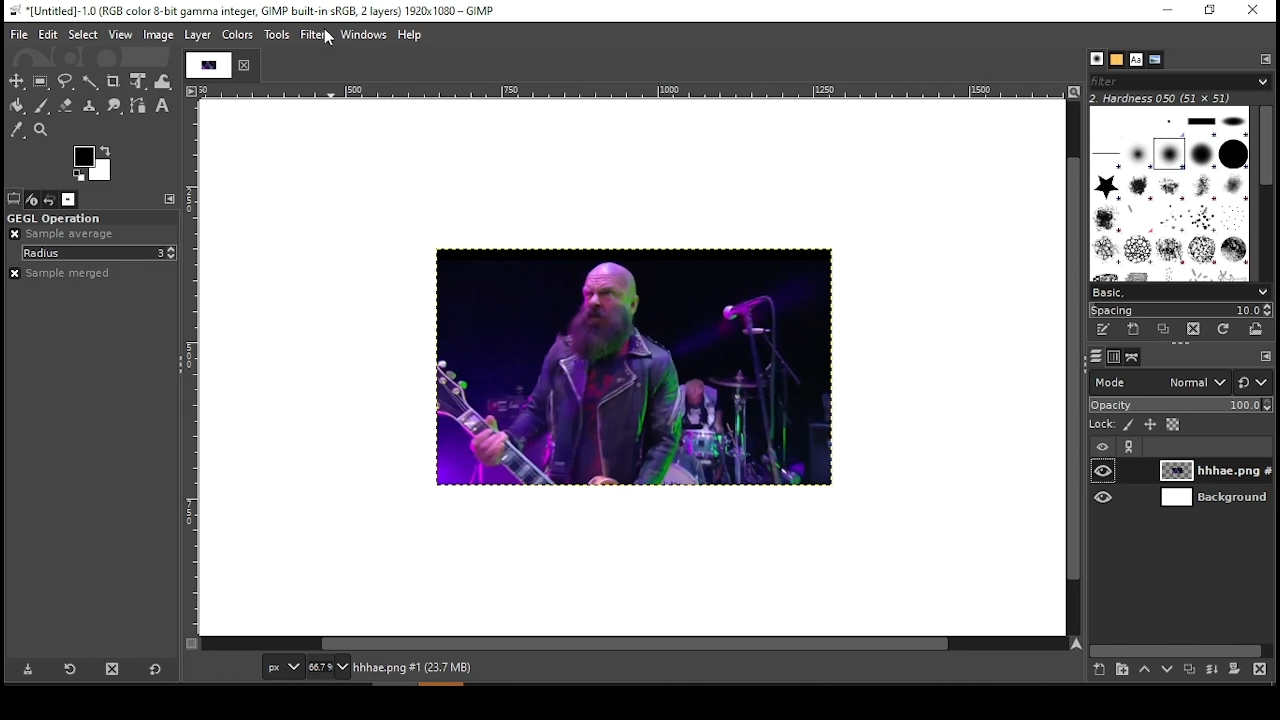 This screenshot has width=1280, height=720. Describe the element at coordinates (415, 667) in the screenshot. I see `hhhae.png#1 (23.7 mb)` at that location.